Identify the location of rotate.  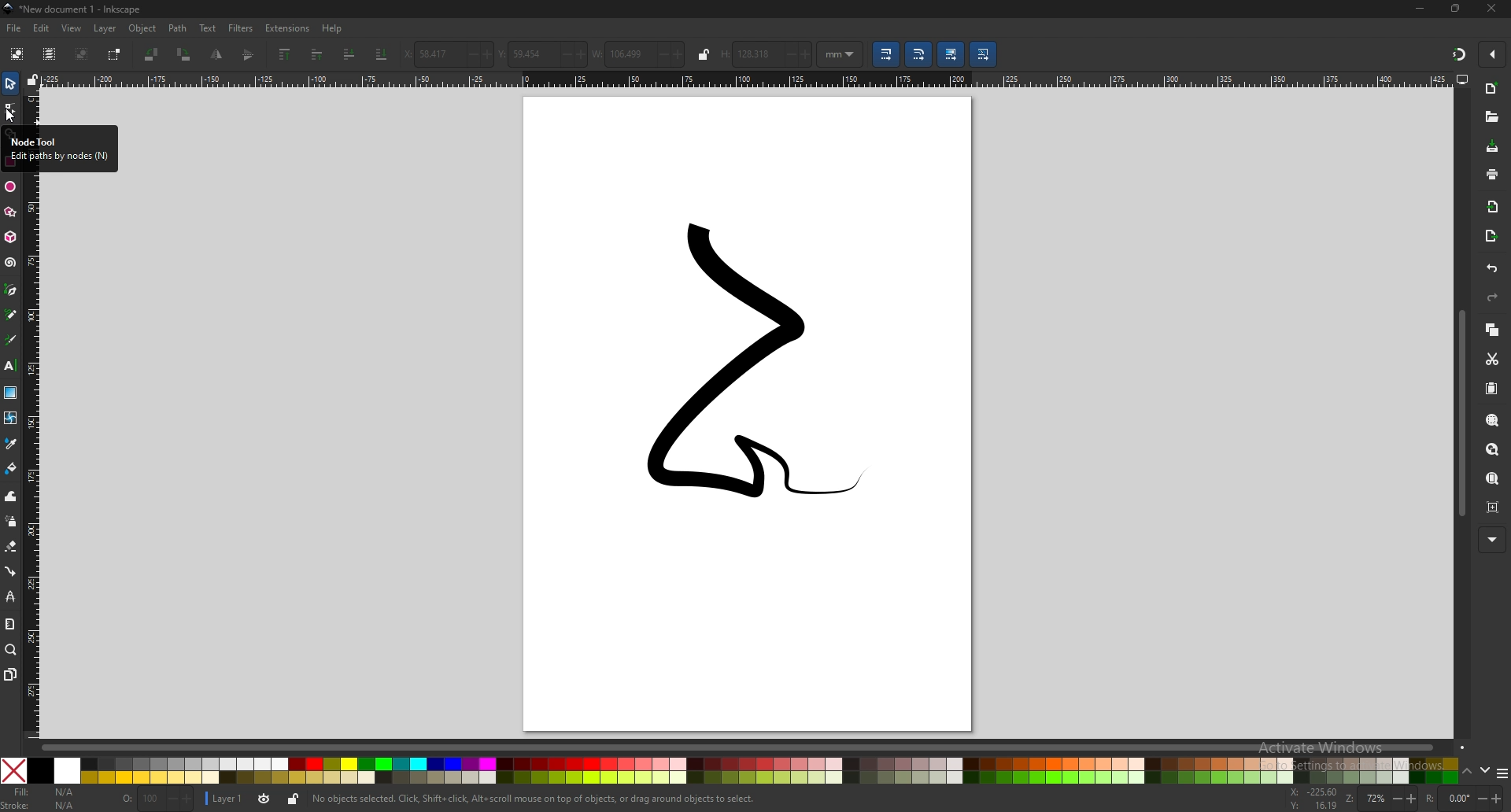
(1462, 797).